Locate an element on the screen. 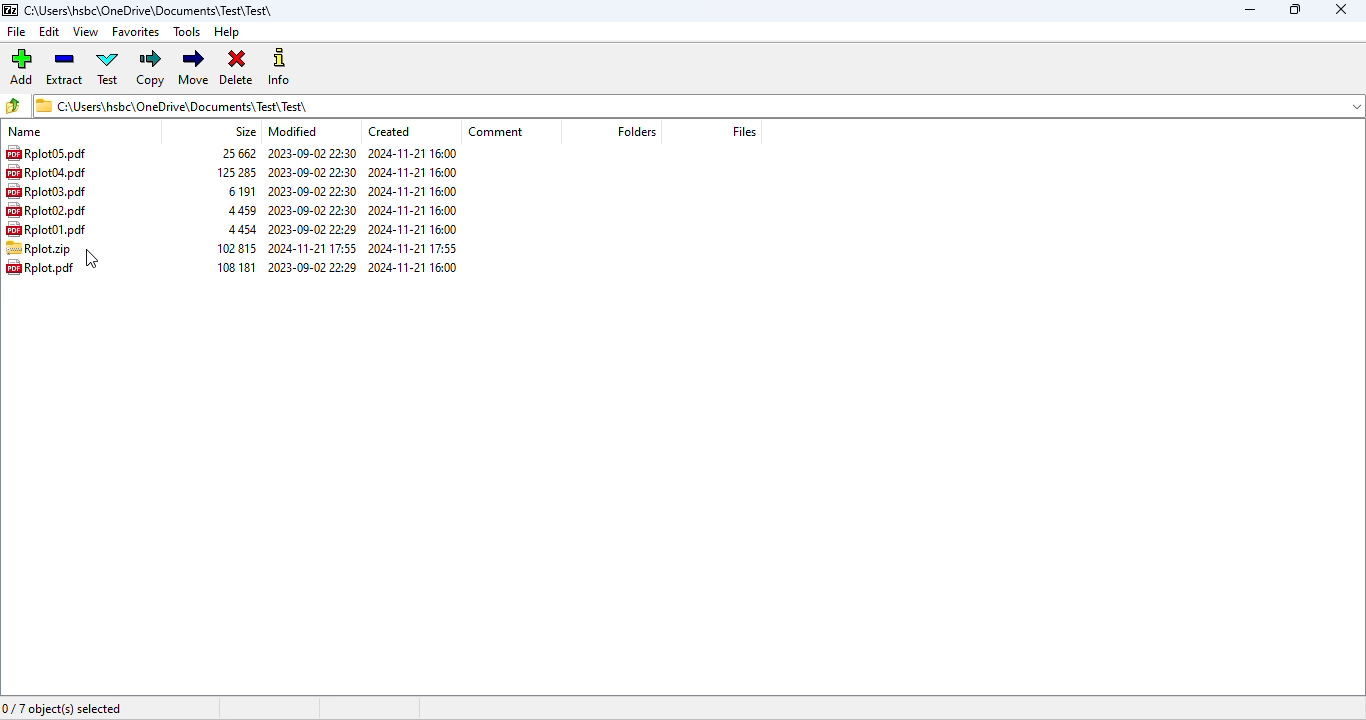 The width and height of the screenshot is (1366, 720). 125 285 is located at coordinates (233, 172).